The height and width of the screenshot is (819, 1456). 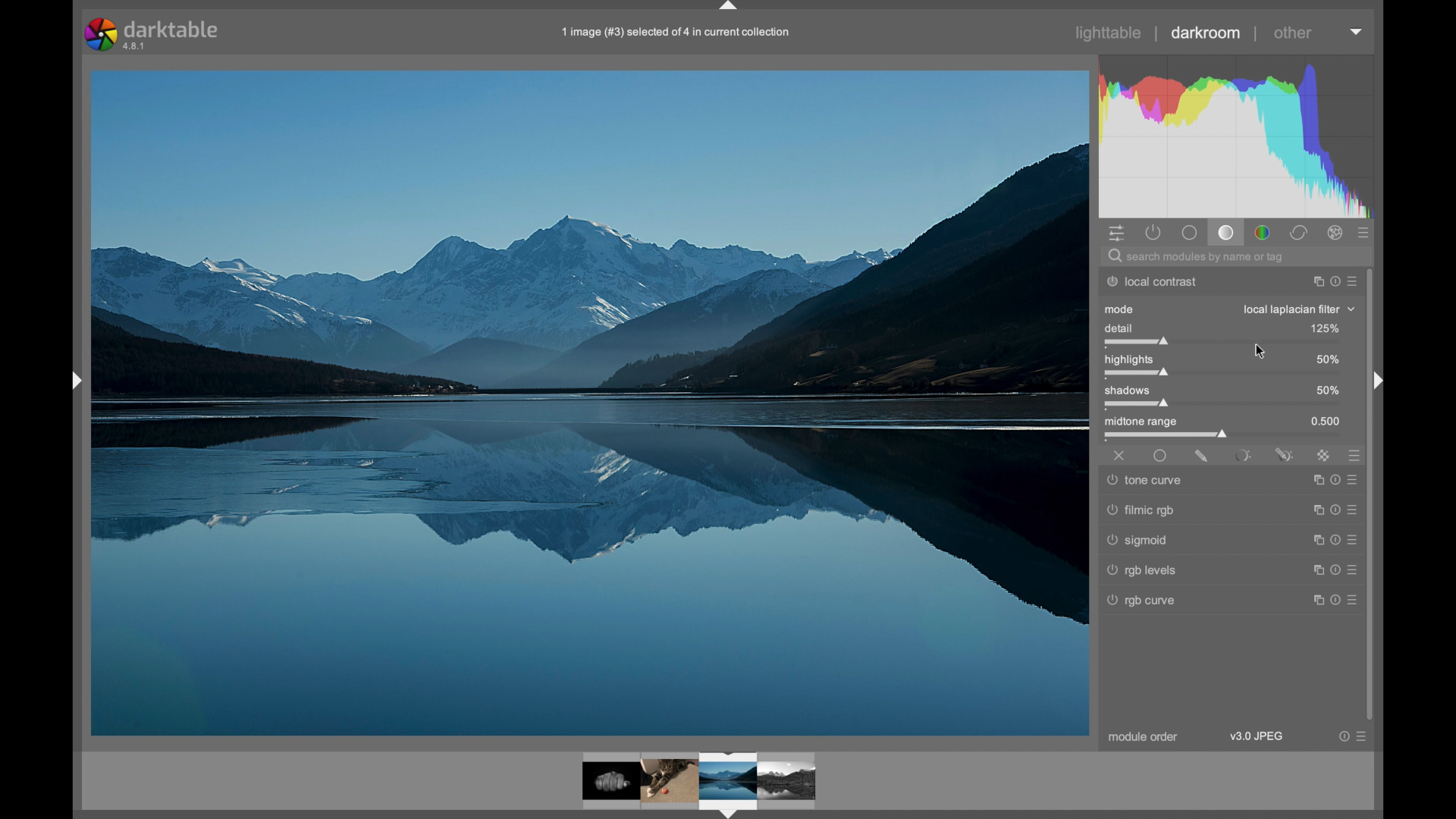 I want to click on filename, so click(x=675, y=33).